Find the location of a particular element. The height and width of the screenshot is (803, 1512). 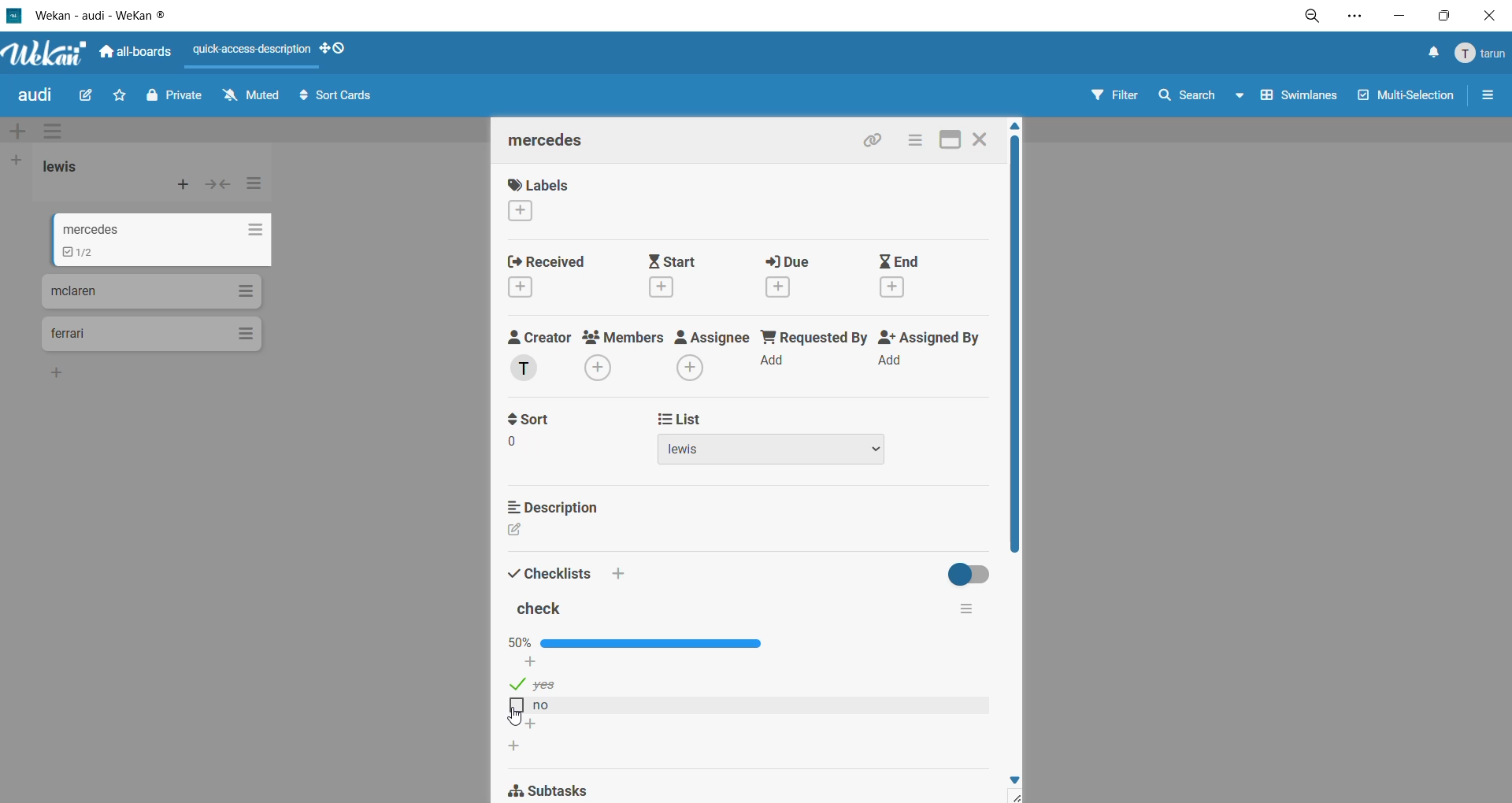

requested by is located at coordinates (811, 352).